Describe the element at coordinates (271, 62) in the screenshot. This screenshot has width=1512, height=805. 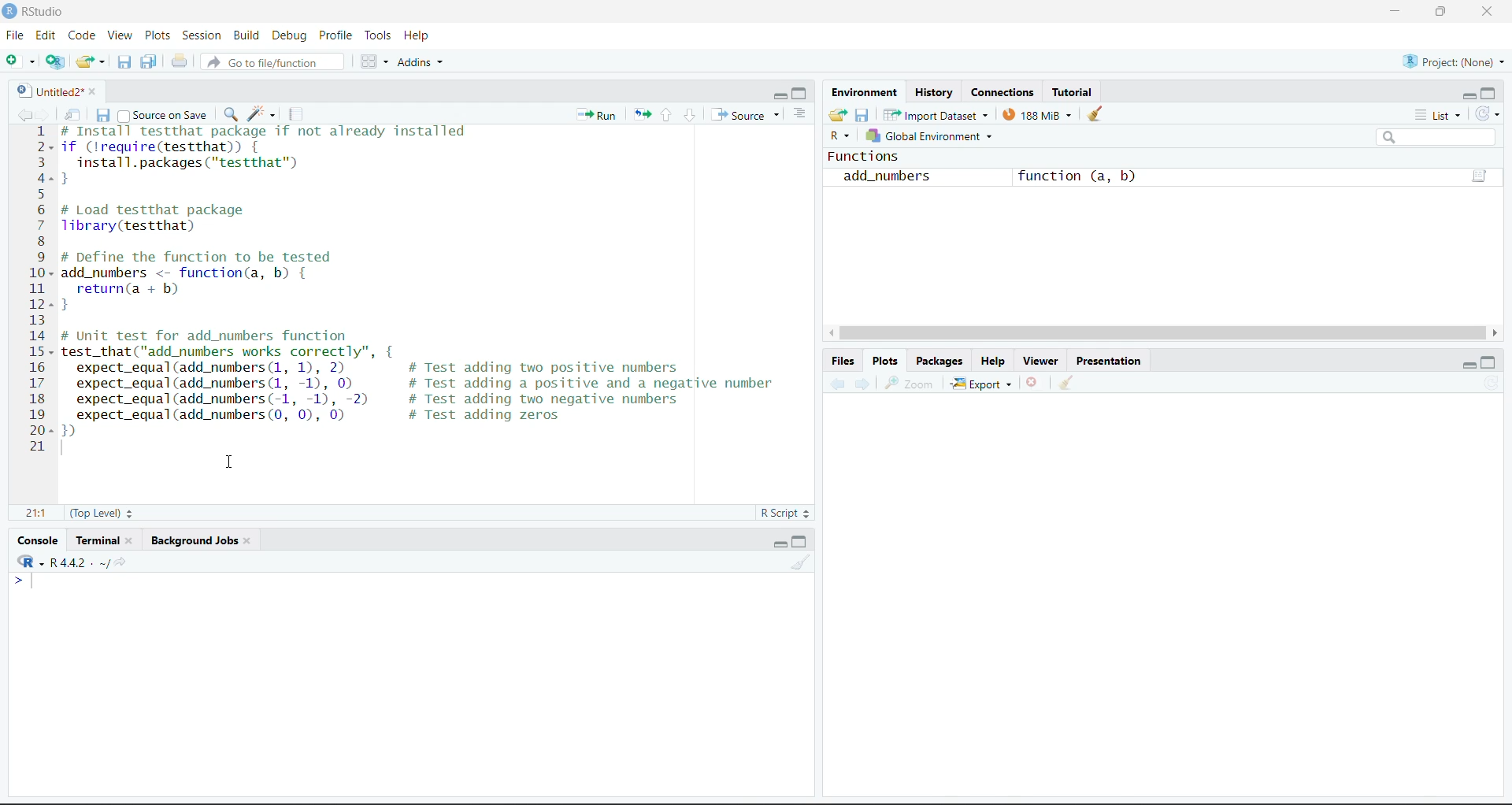
I see `go to file/function` at that location.